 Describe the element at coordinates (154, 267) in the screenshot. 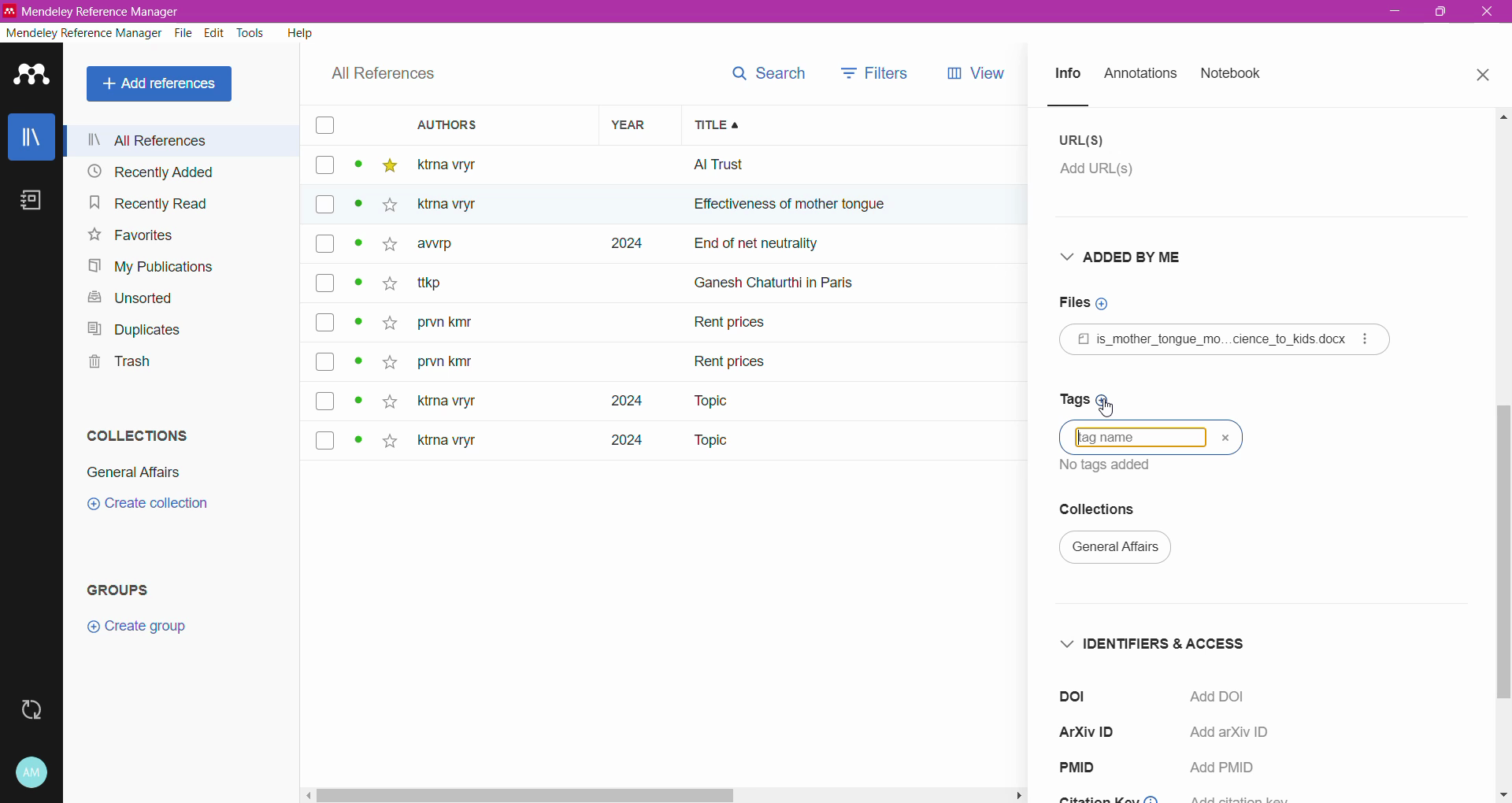

I see `My Publications` at that location.